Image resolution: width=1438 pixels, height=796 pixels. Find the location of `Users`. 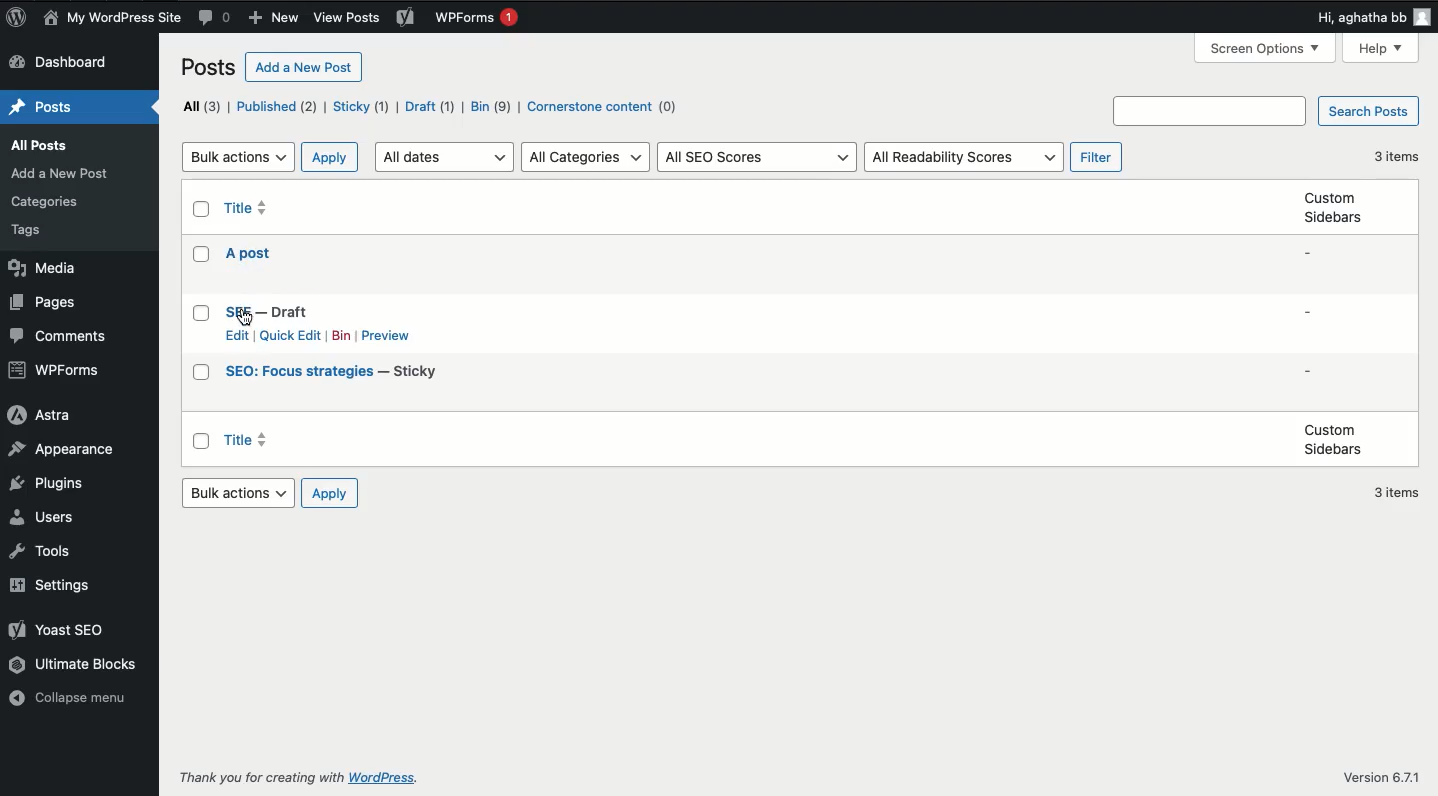

Users is located at coordinates (42, 515).